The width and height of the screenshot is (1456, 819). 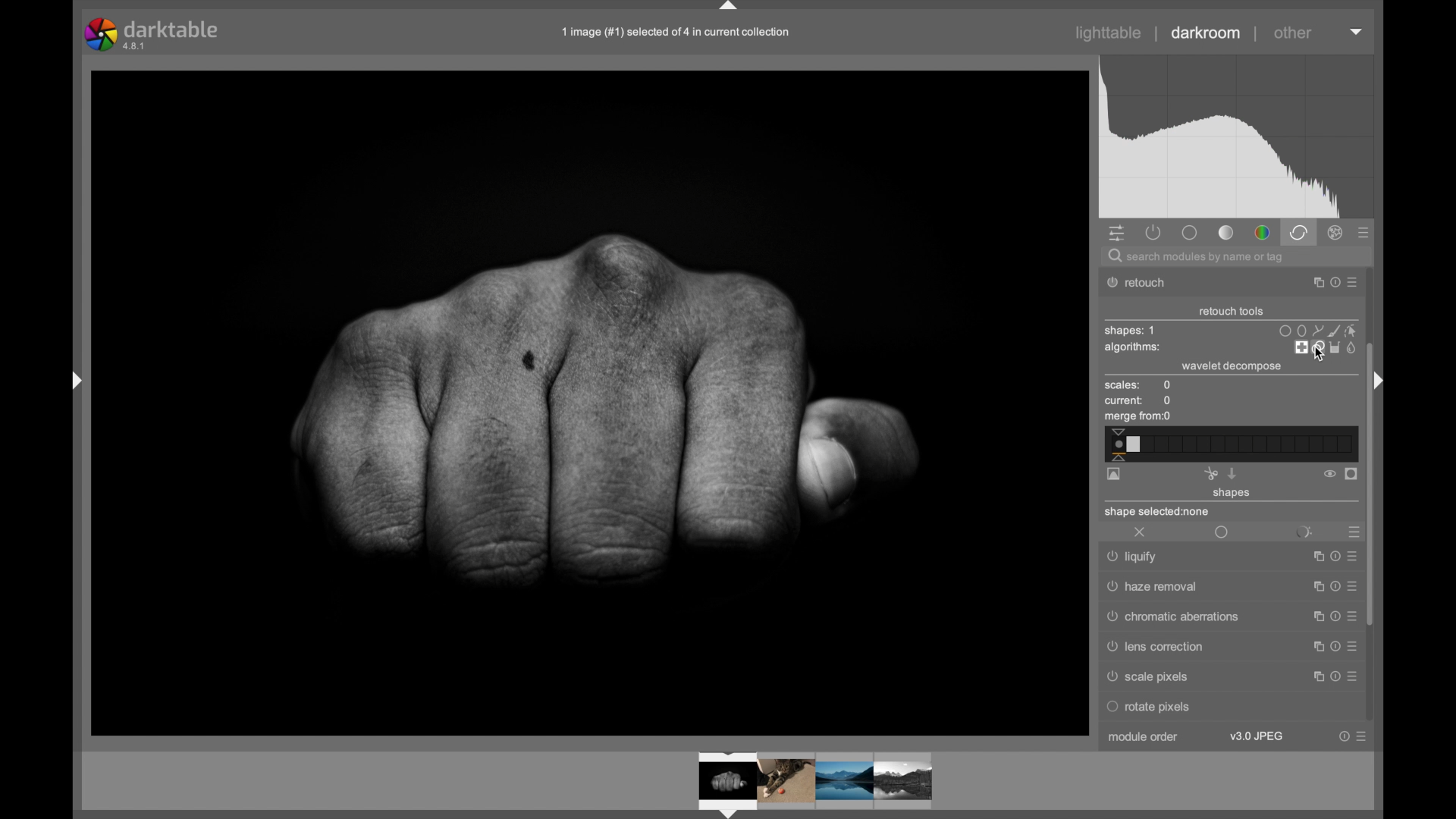 What do you see at coordinates (1153, 587) in the screenshot?
I see `haze removal` at bounding box center [1153, 587].